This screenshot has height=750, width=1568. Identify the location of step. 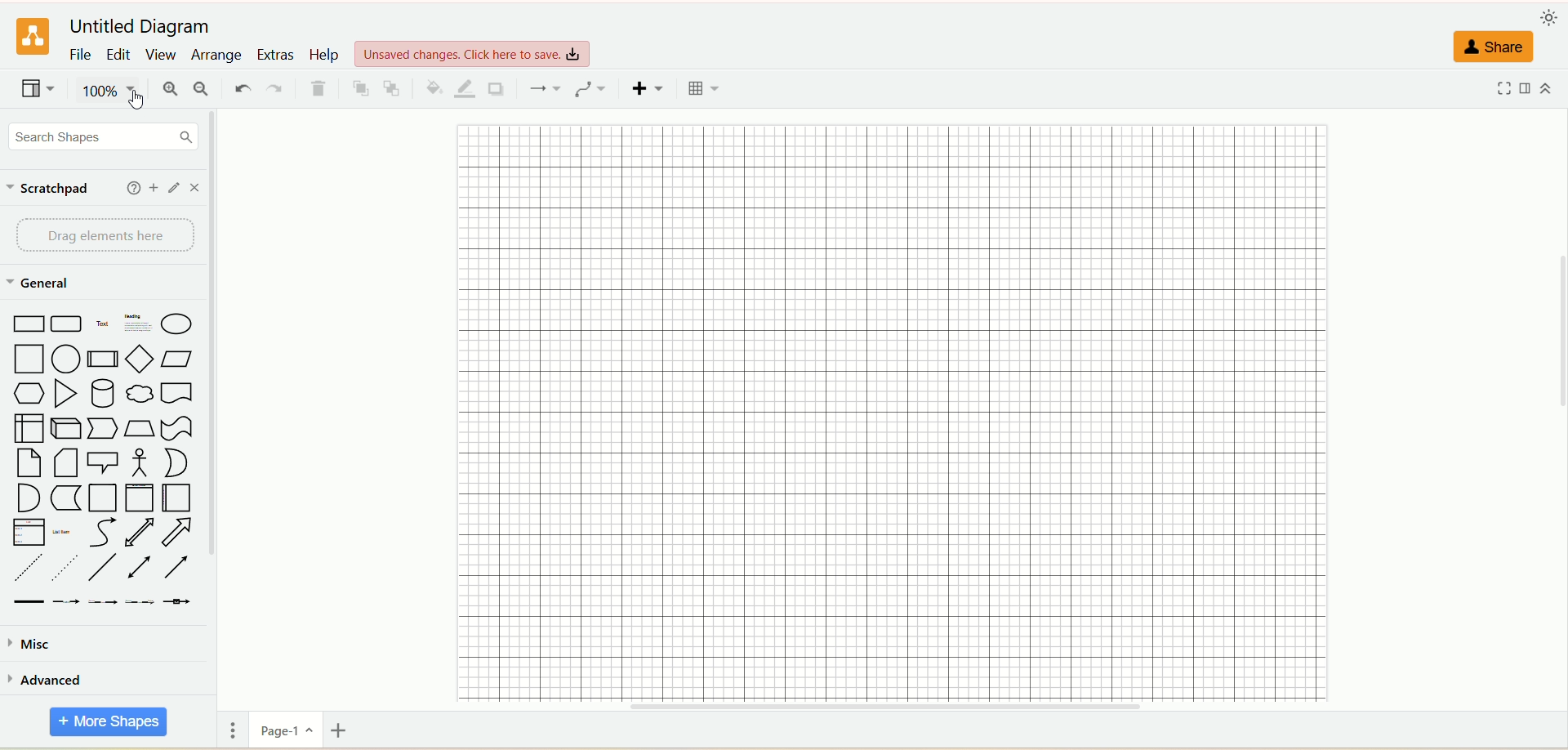
(101, 427).